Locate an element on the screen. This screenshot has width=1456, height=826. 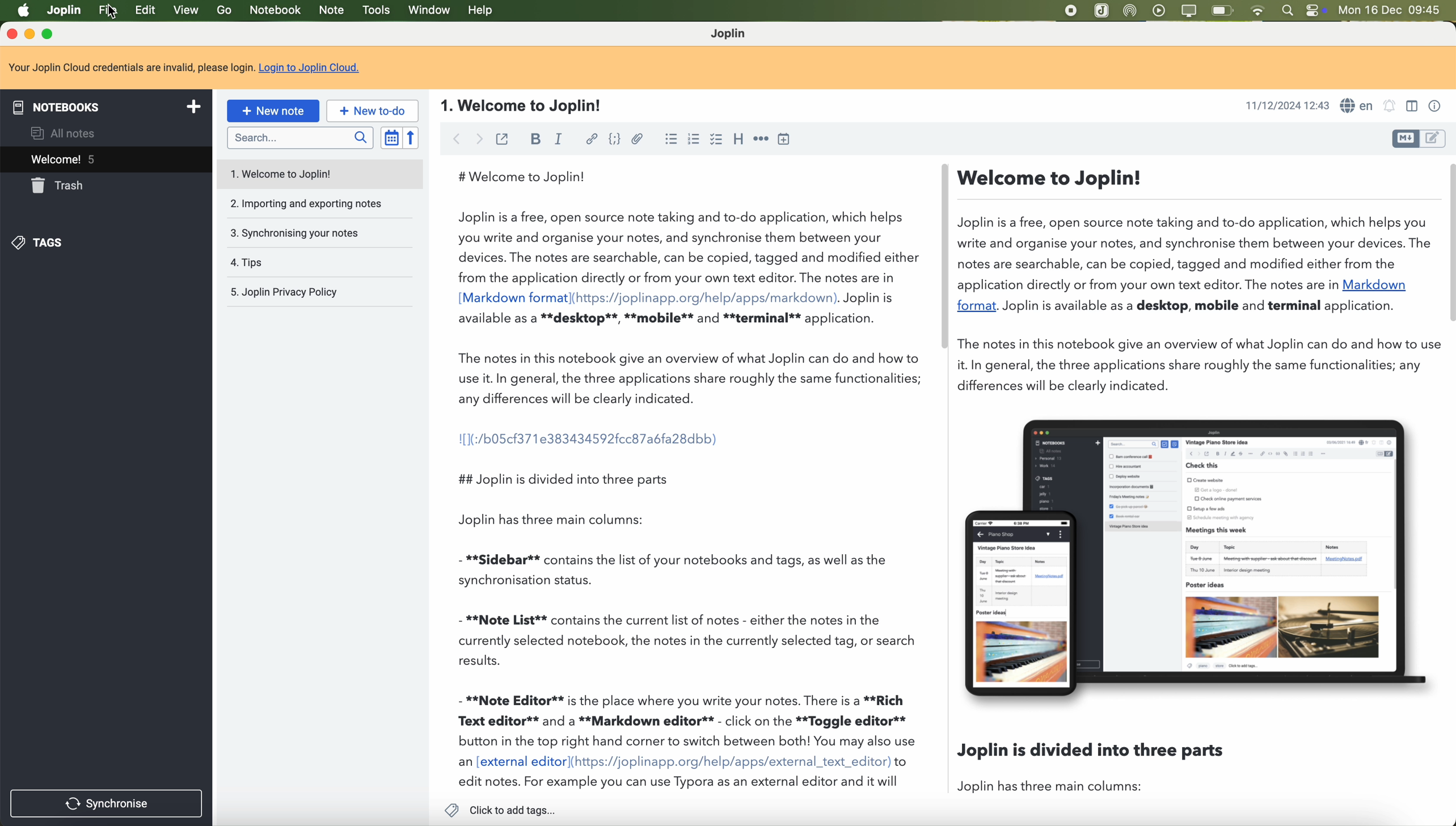
## Joplin is divided into three parts is located at coordinates (563, 478).